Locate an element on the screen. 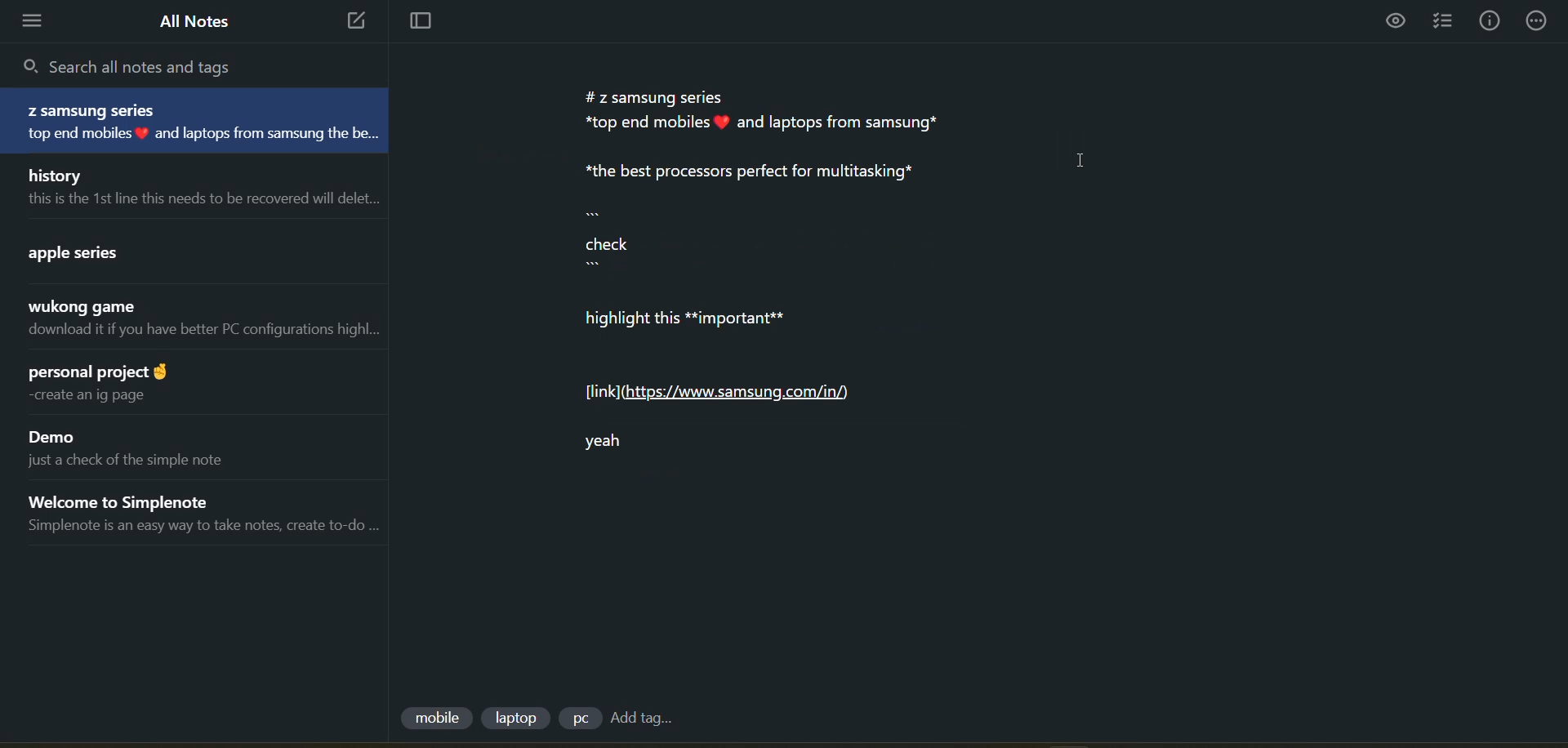  actions is located at coordinates (1540, 20).